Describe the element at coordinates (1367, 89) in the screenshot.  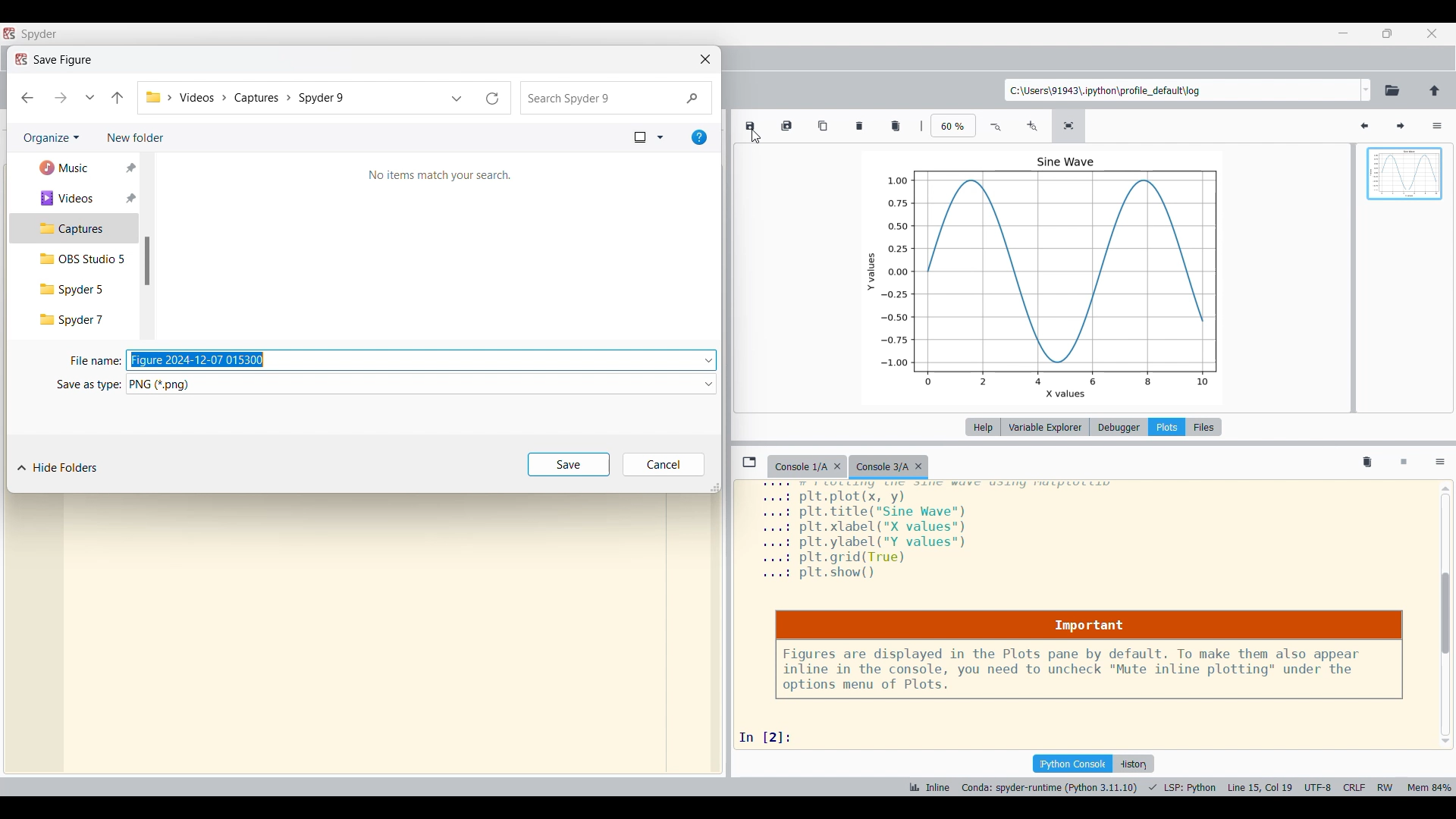
I see `Location options` at that location.